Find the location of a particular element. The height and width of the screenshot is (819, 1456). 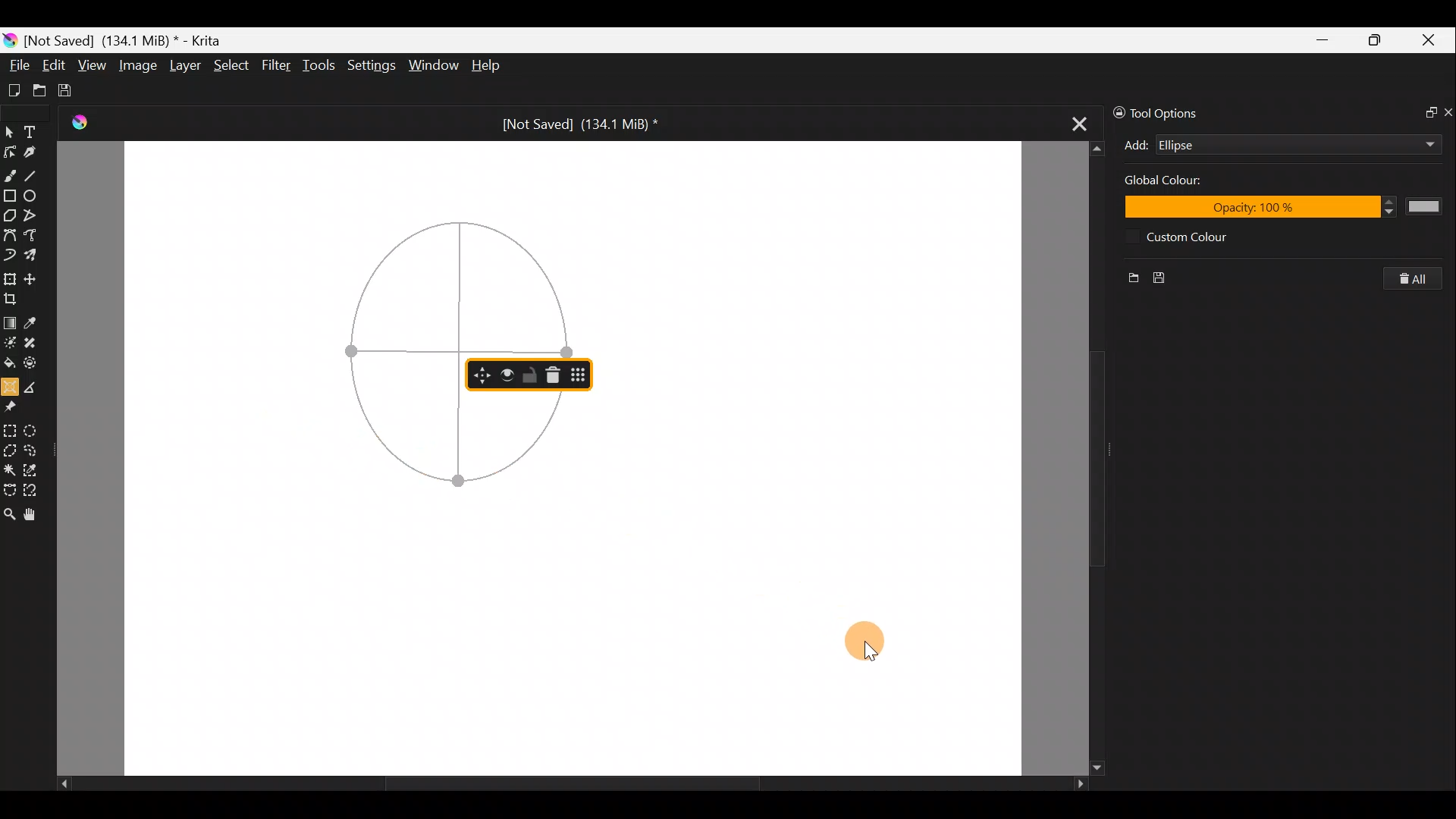

Enclose and fill tool is located at coordinates (37, 366).